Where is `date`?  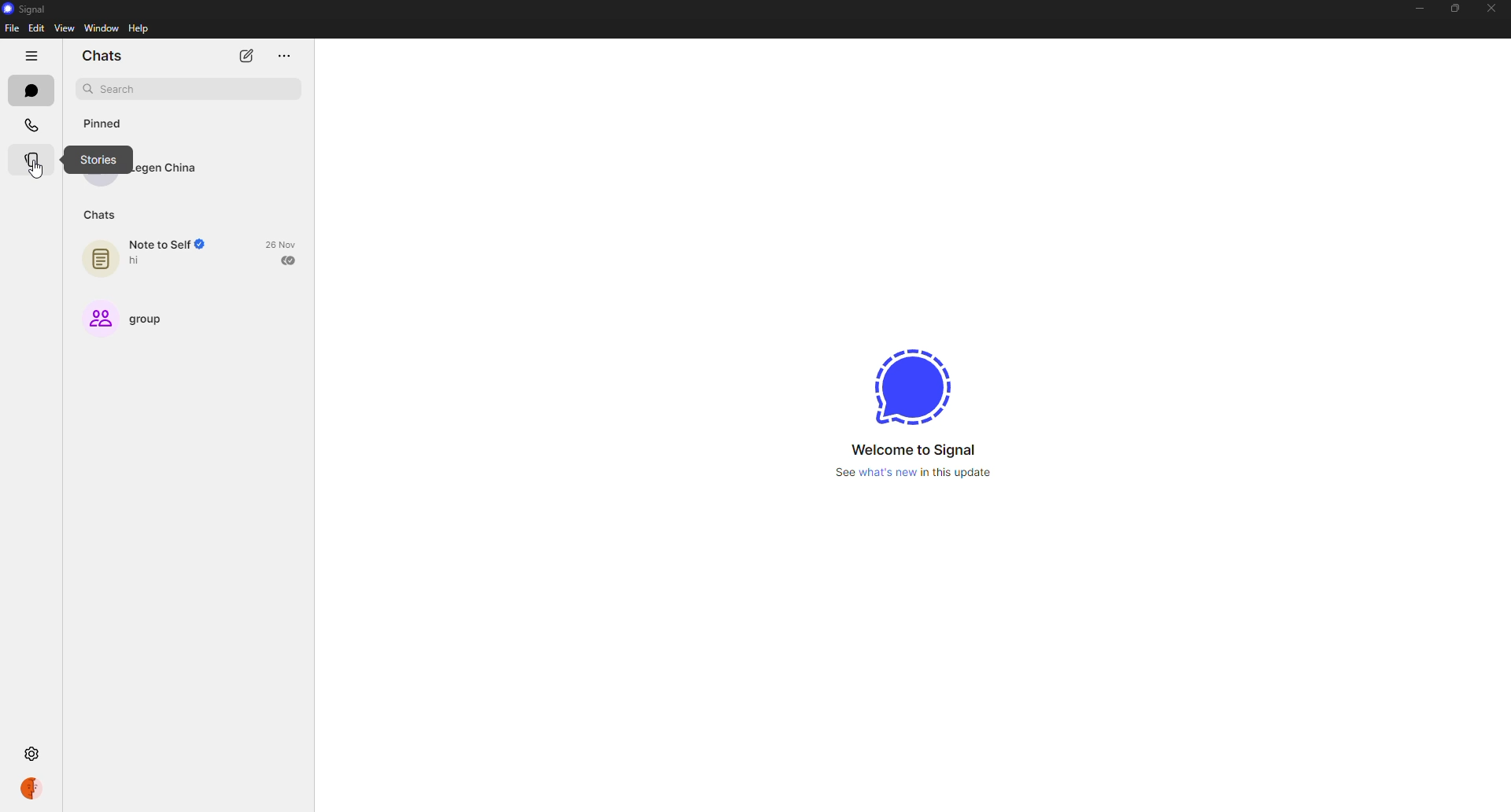 date is located at coordinates (281, 244).